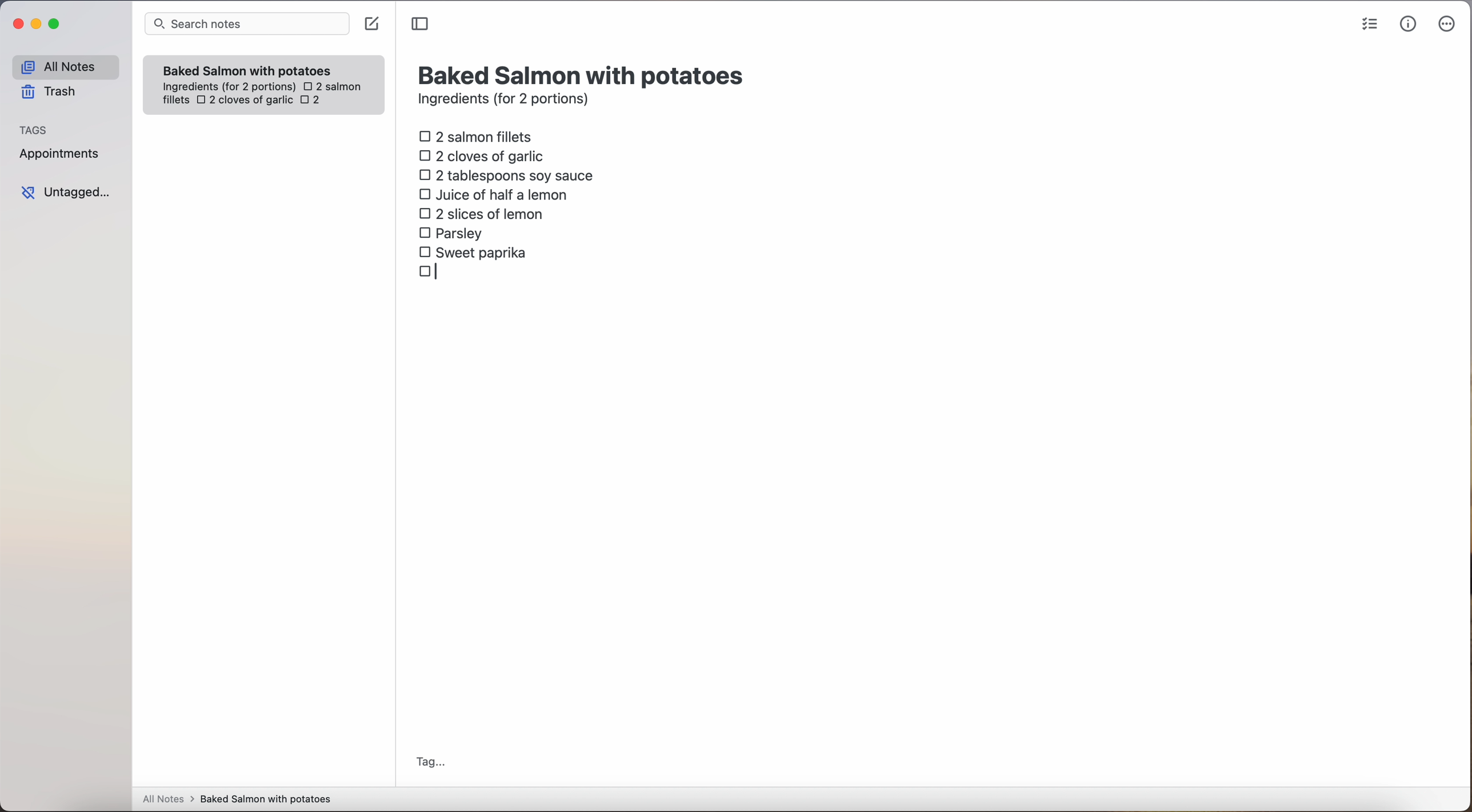 The image size is (1472, 812). Describe the element at coordinates (65, 66) in the screenshot. I see `all notes` at that location.